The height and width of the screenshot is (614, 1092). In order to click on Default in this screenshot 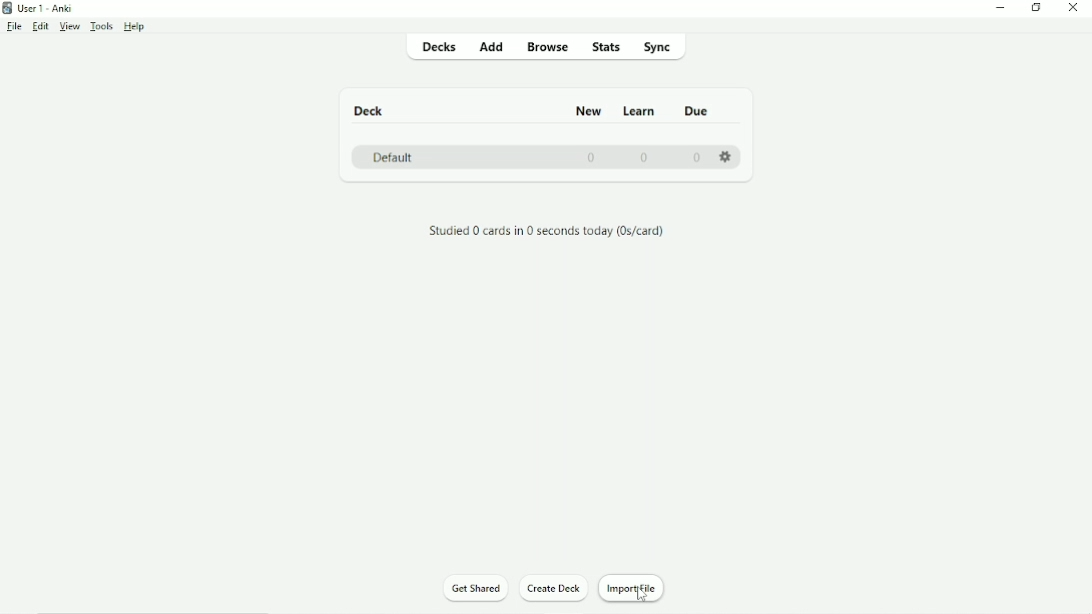, I will do `click(391, 158)`.